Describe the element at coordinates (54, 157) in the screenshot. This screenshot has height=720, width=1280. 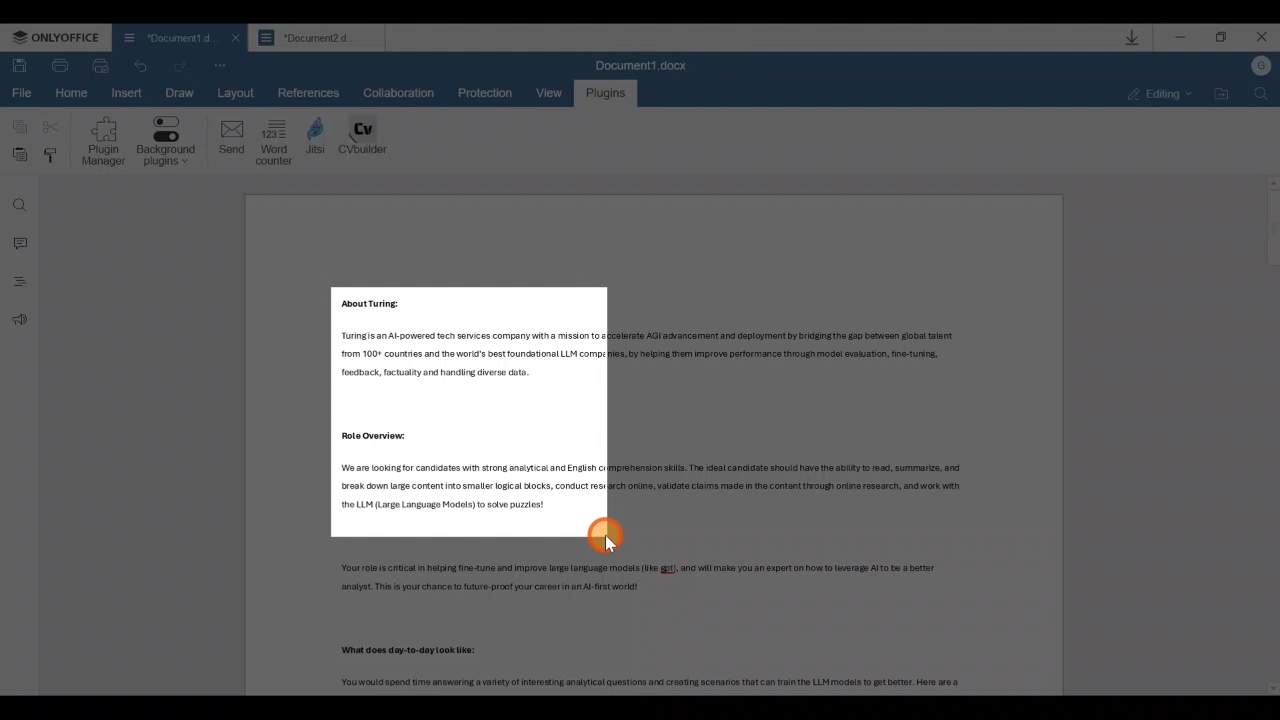
I see `Copy style` at that location.